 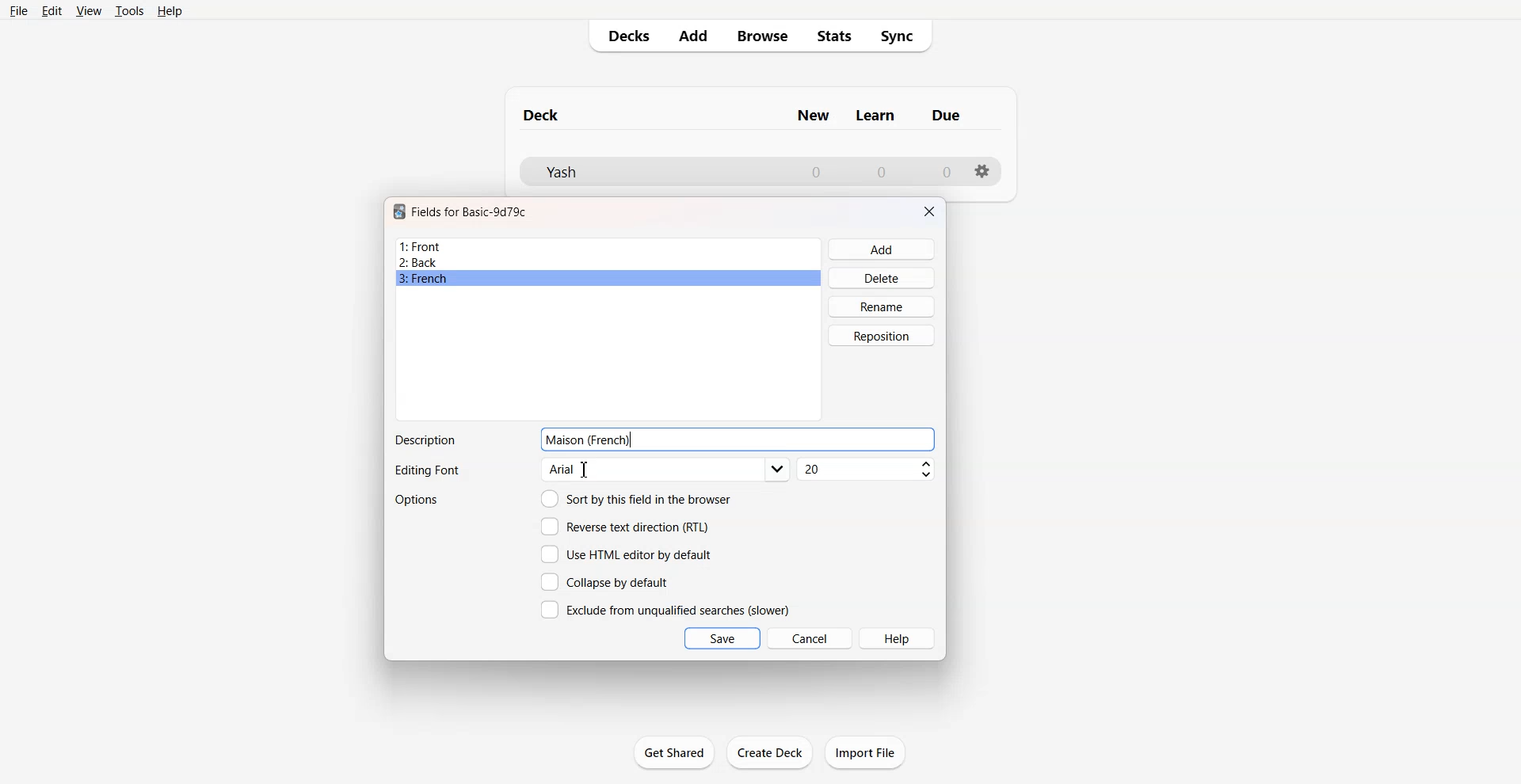 I want to click on Tools, so click(x=129, y=10).